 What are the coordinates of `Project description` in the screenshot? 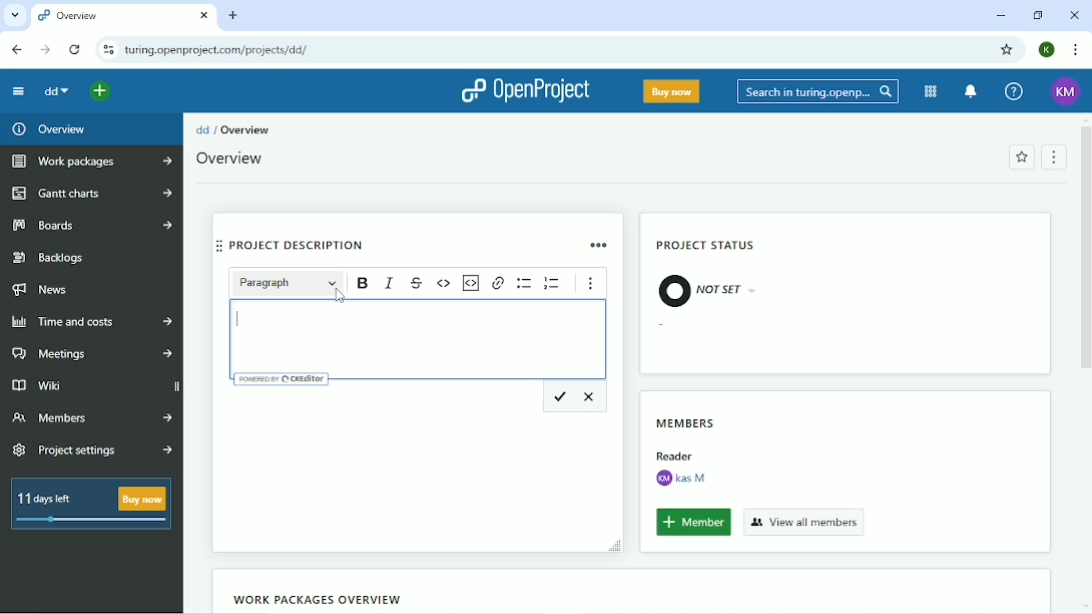 It's located at (380, 243).